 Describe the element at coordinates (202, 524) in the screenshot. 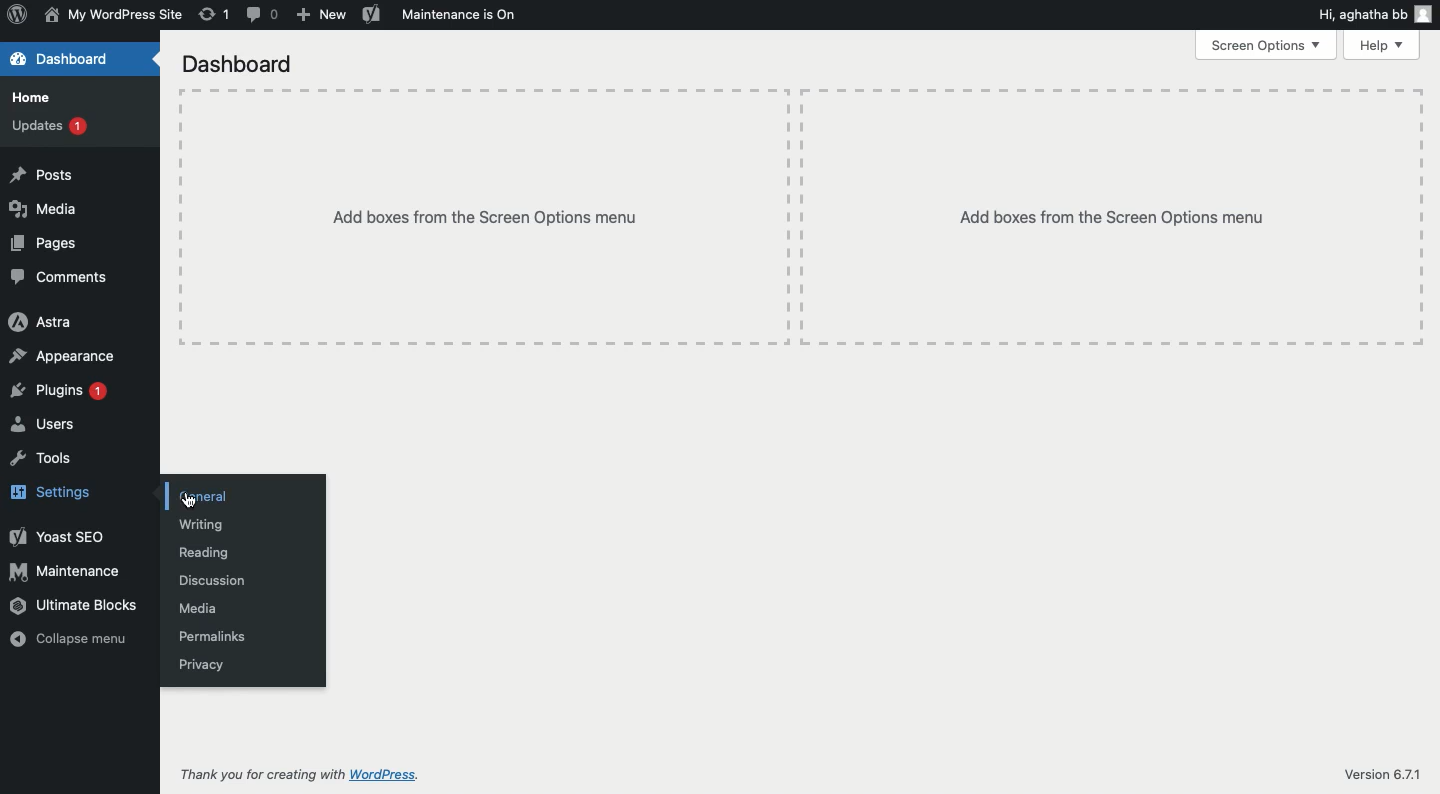

I see `Writing` at that location.